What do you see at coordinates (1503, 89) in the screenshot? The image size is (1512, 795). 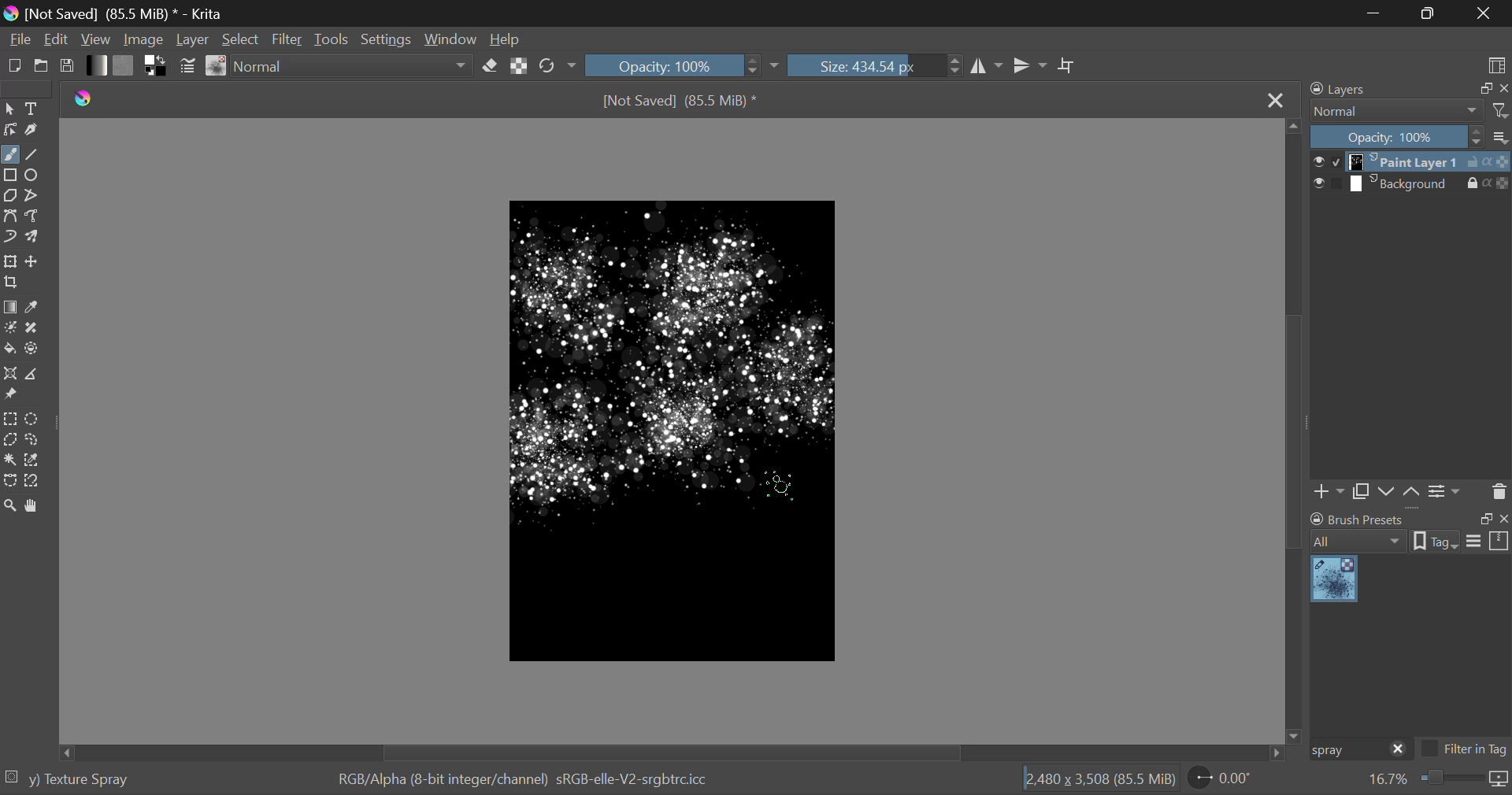 I see `close` at bounding box center [1503, 89].